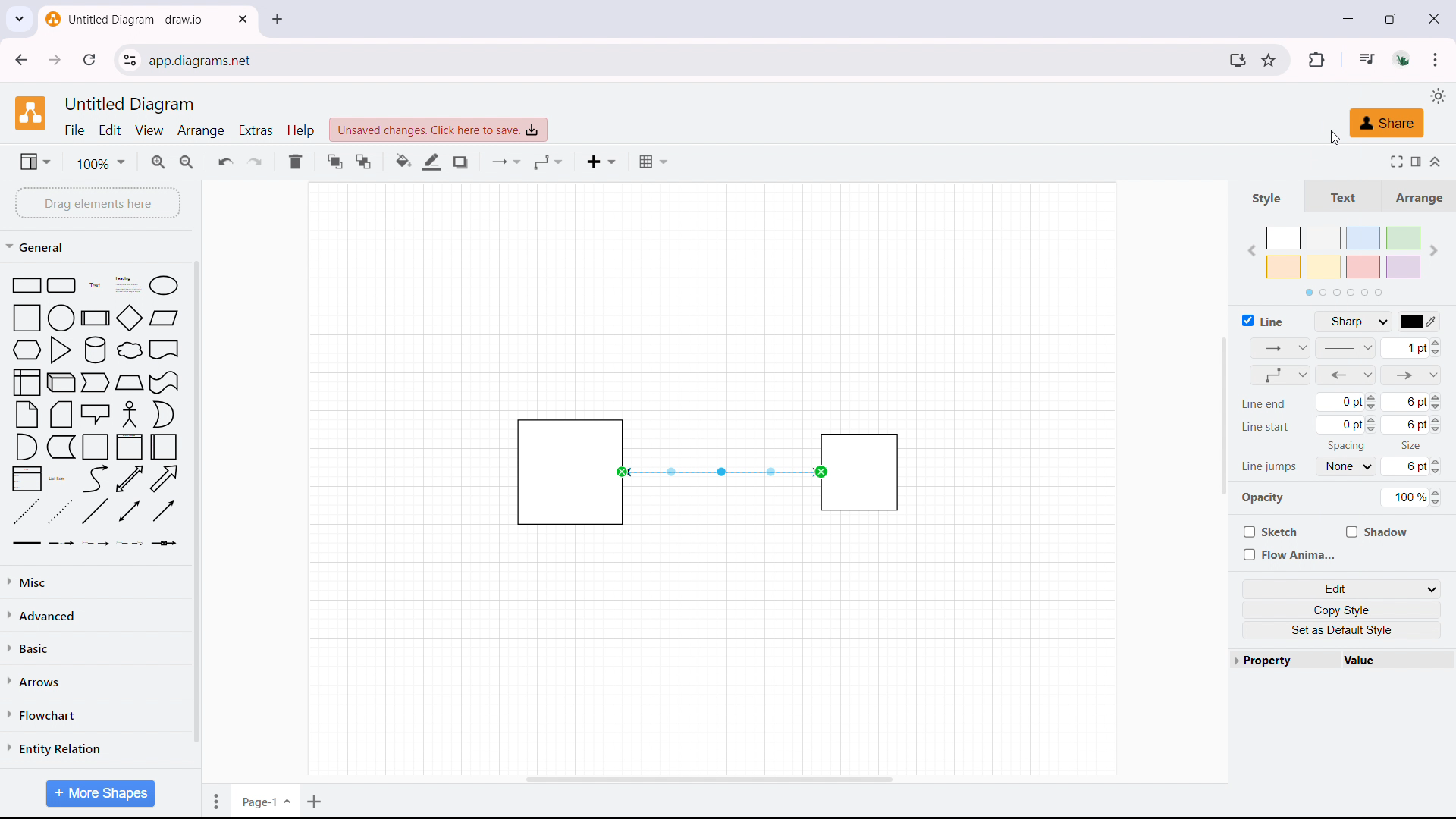  What do you see at coordinates (1385, 124) in the screenshot?
I see `share` at bounding box center [1385, 124].